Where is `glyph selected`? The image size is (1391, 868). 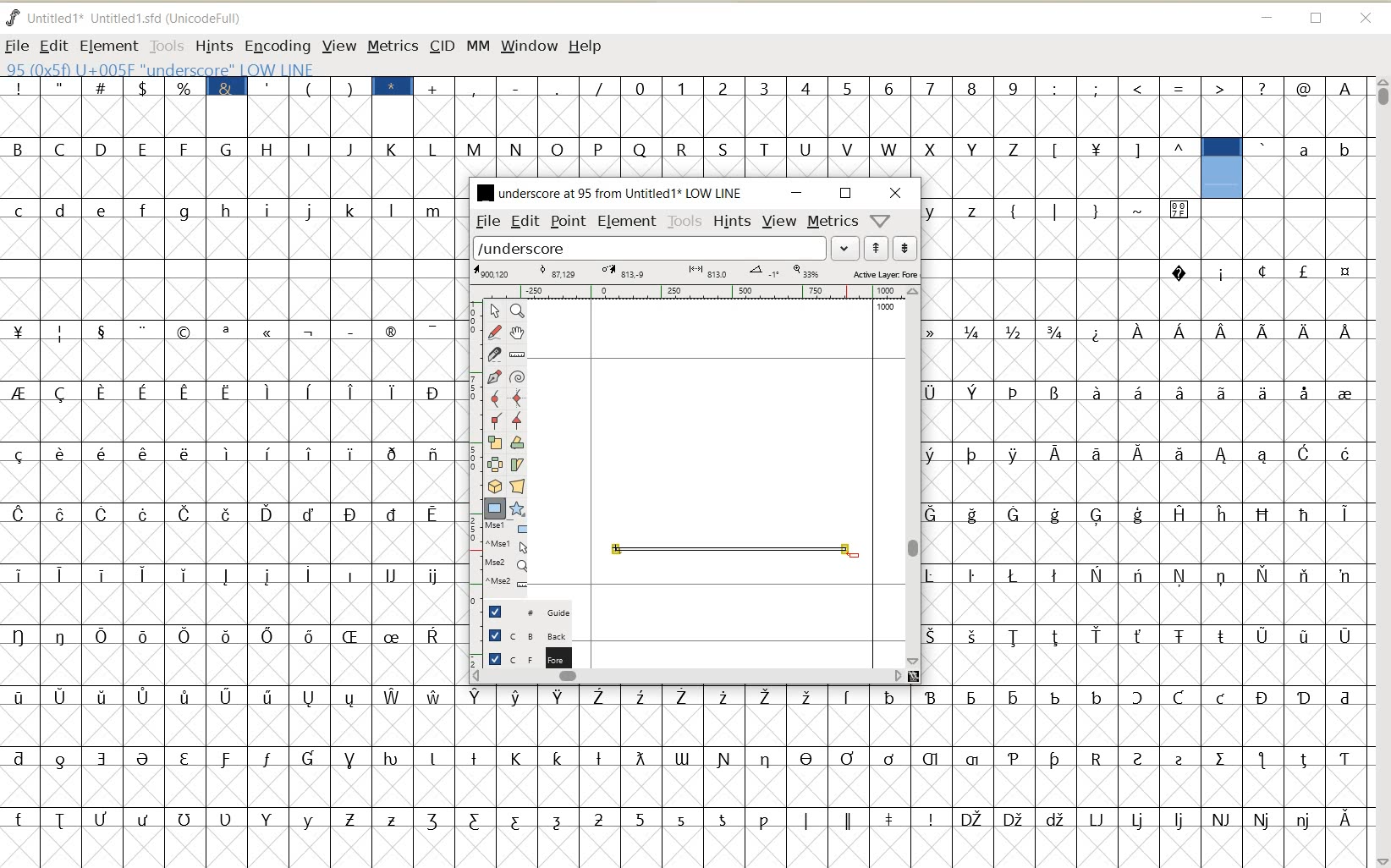 glyph selected is located at coordinates (1222, 168).